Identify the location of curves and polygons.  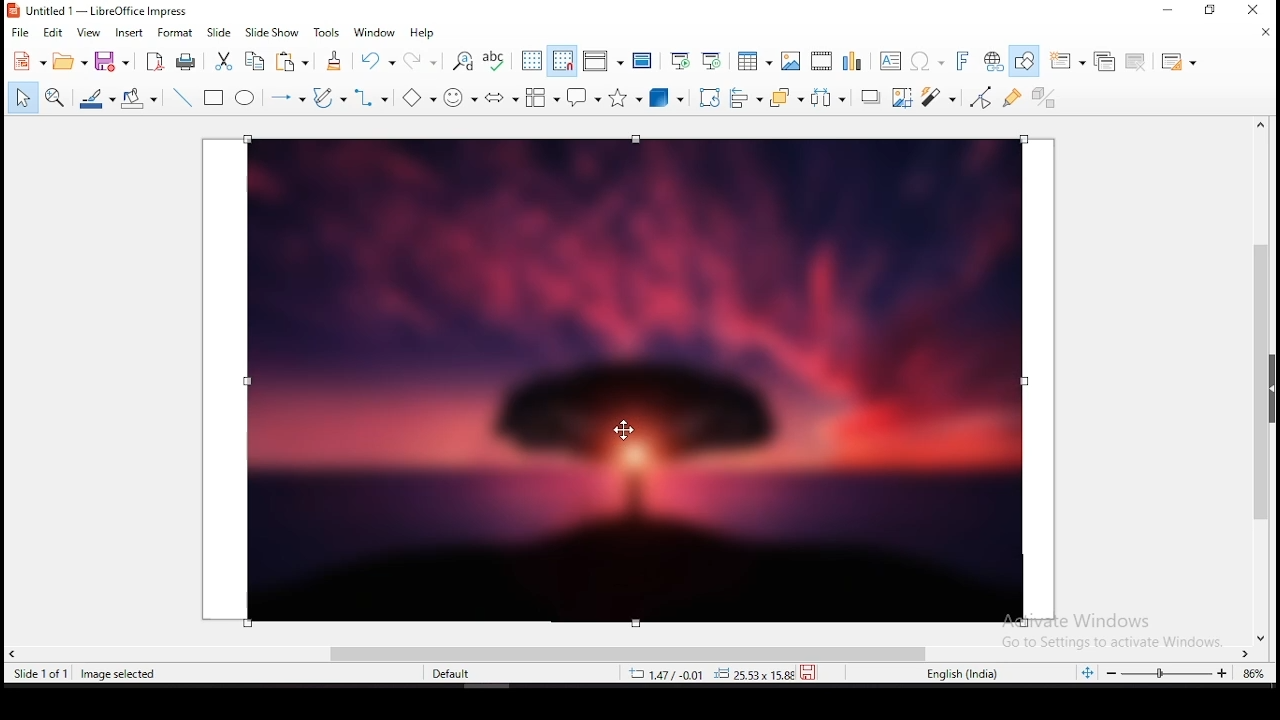
(330, 98).